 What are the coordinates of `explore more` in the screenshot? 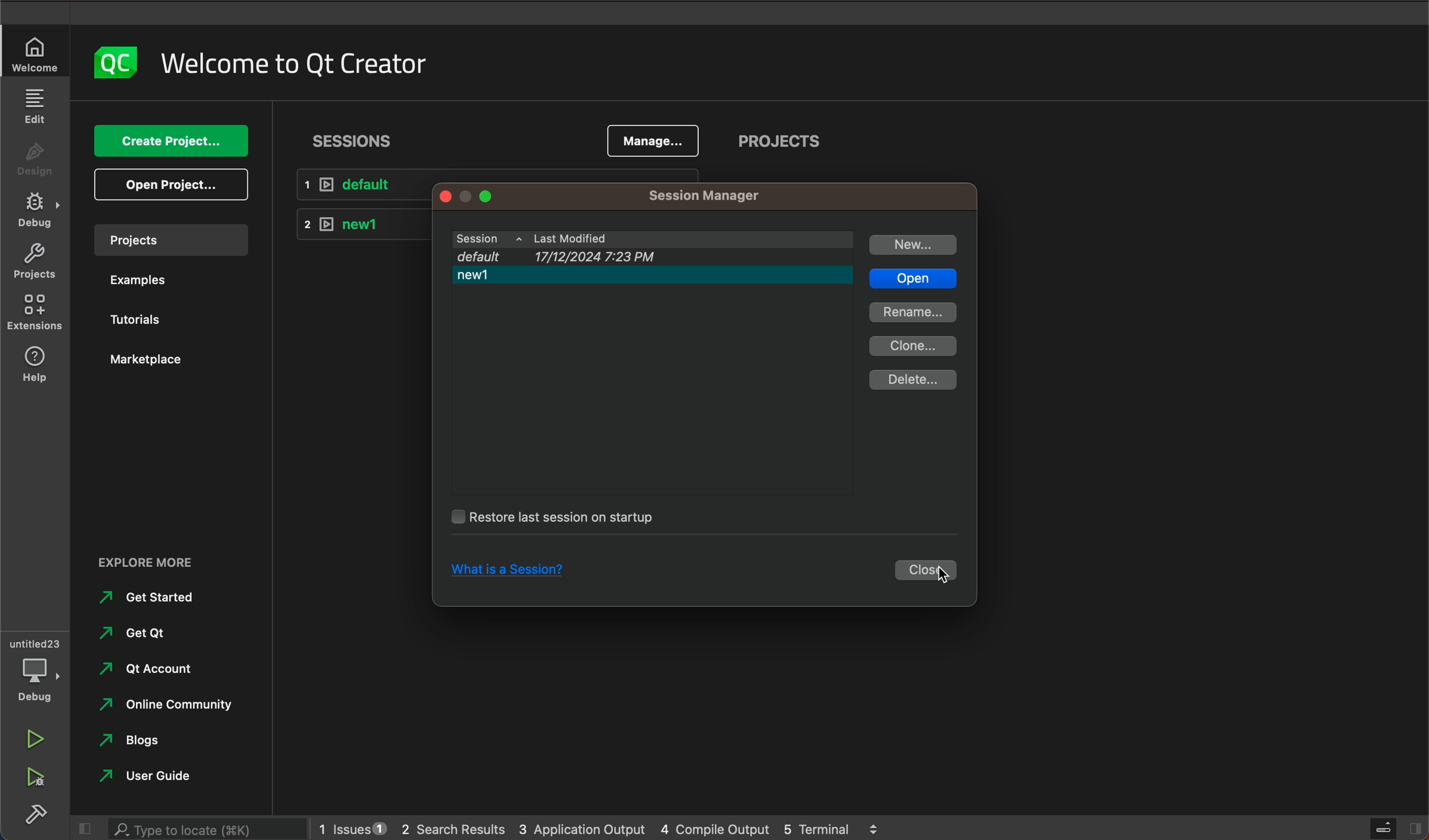 It's located at (168, 554).